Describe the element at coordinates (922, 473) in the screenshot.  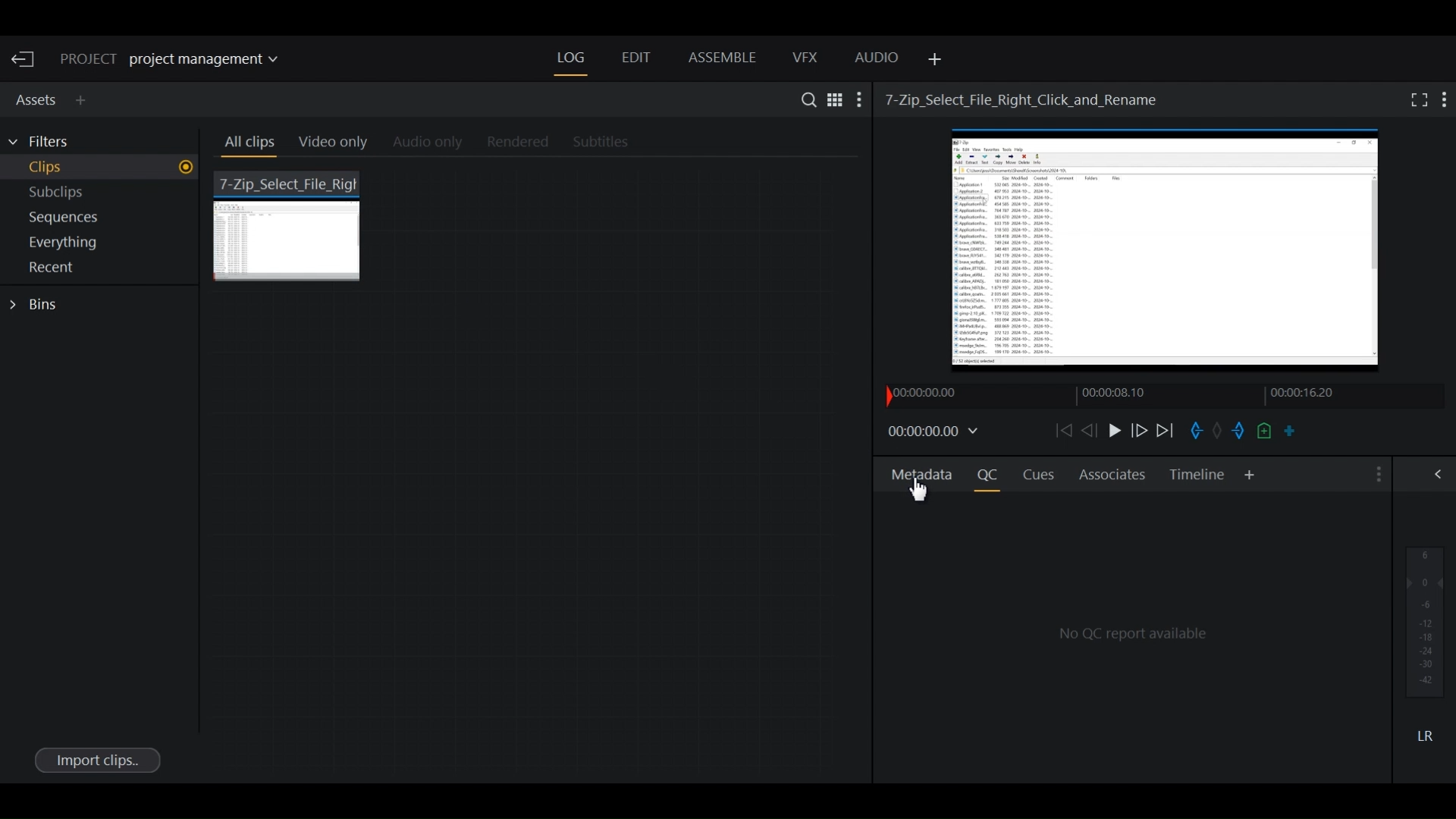
I see `Metadata` at that location.